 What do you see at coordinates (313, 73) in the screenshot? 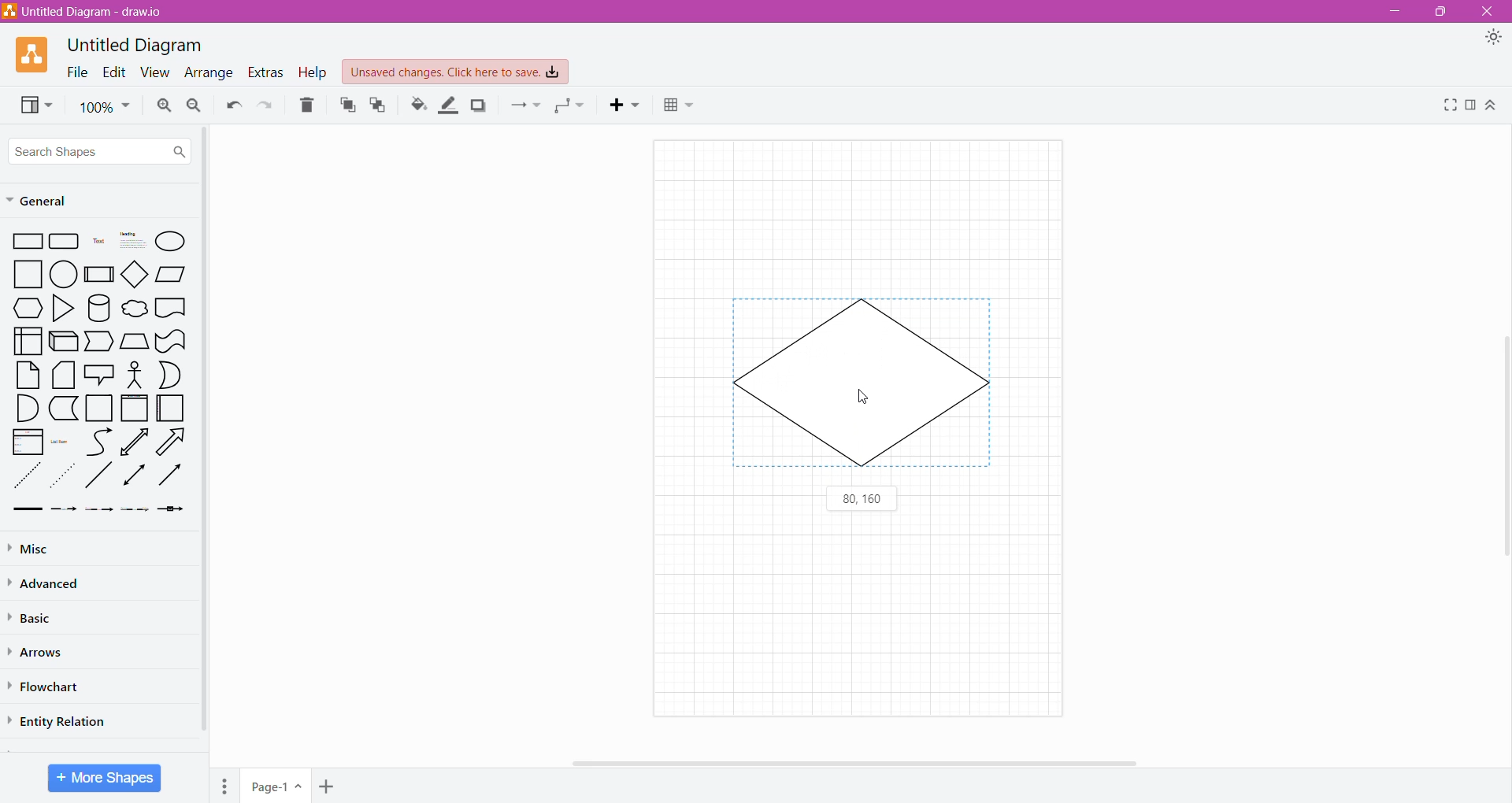
I see `Help` at bounding box center [313, 73].